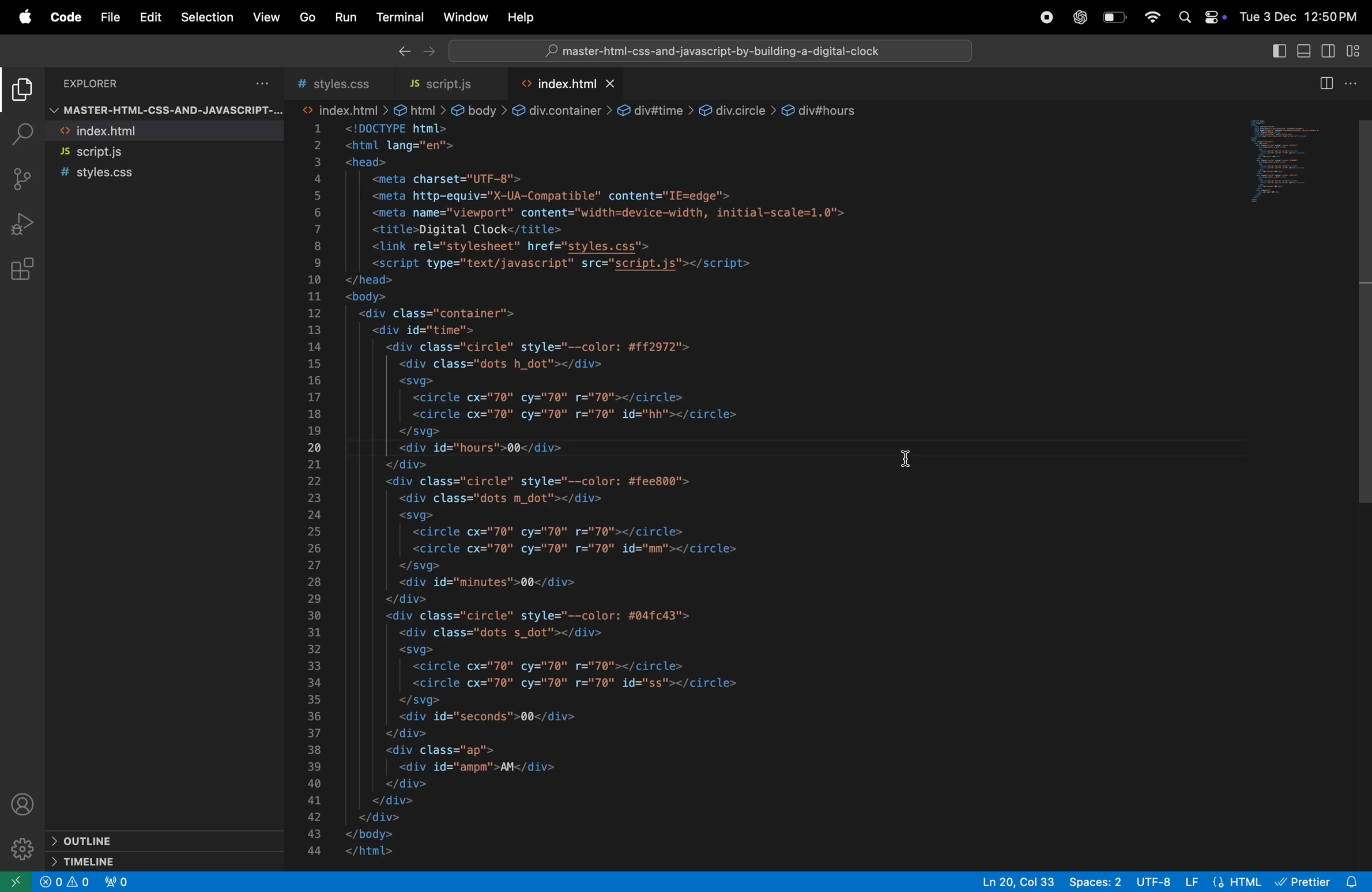 Image resolution: width=1372 pixels, height=892 pixels. I want to click on apple widgets, so click(1201, 16).